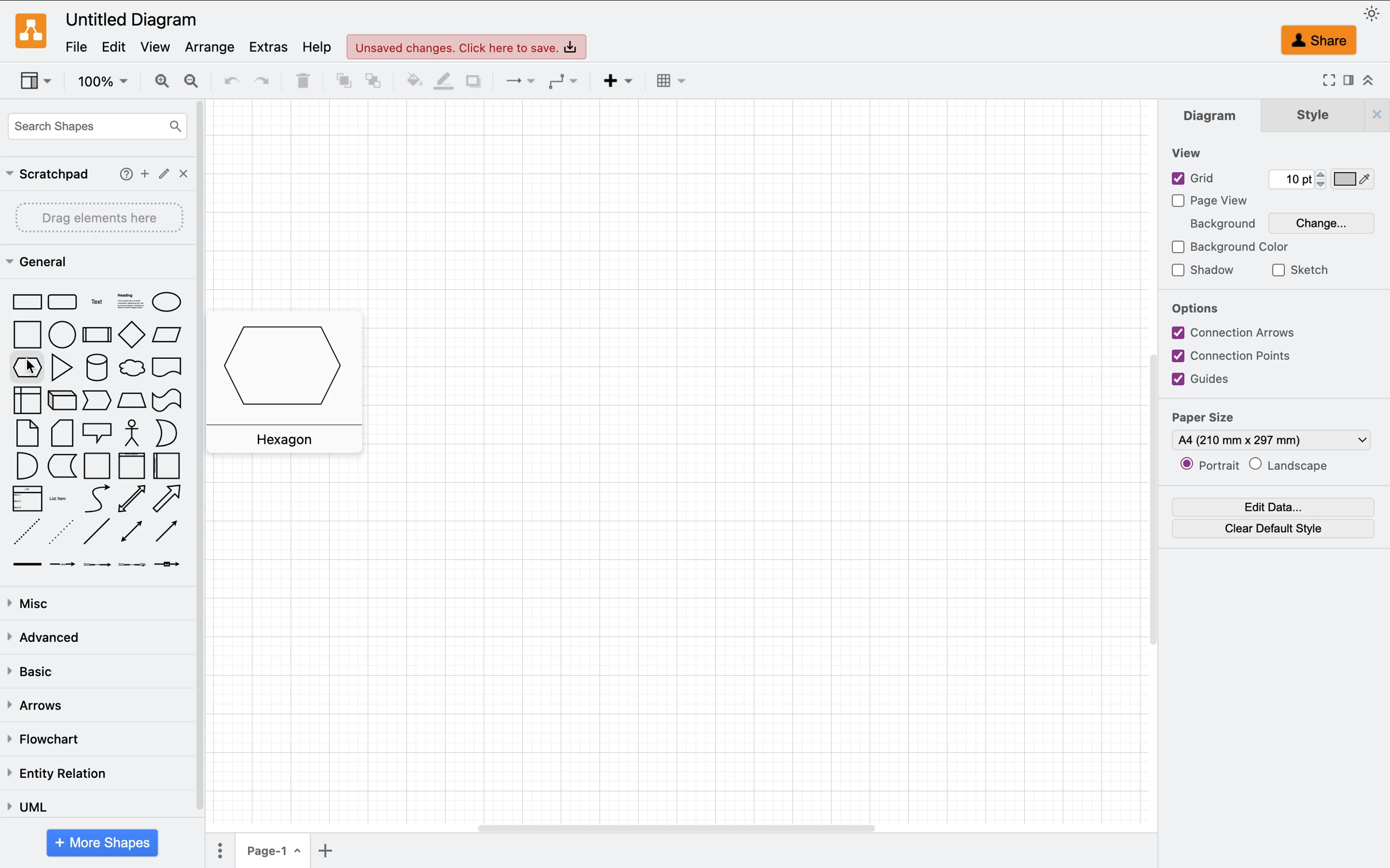 Image resolution: width=1390 pixels, height=868 pixels. What do you see at coordinates (145, 172) in the screenshot?
I see `add` at bounding box center [145, 172].